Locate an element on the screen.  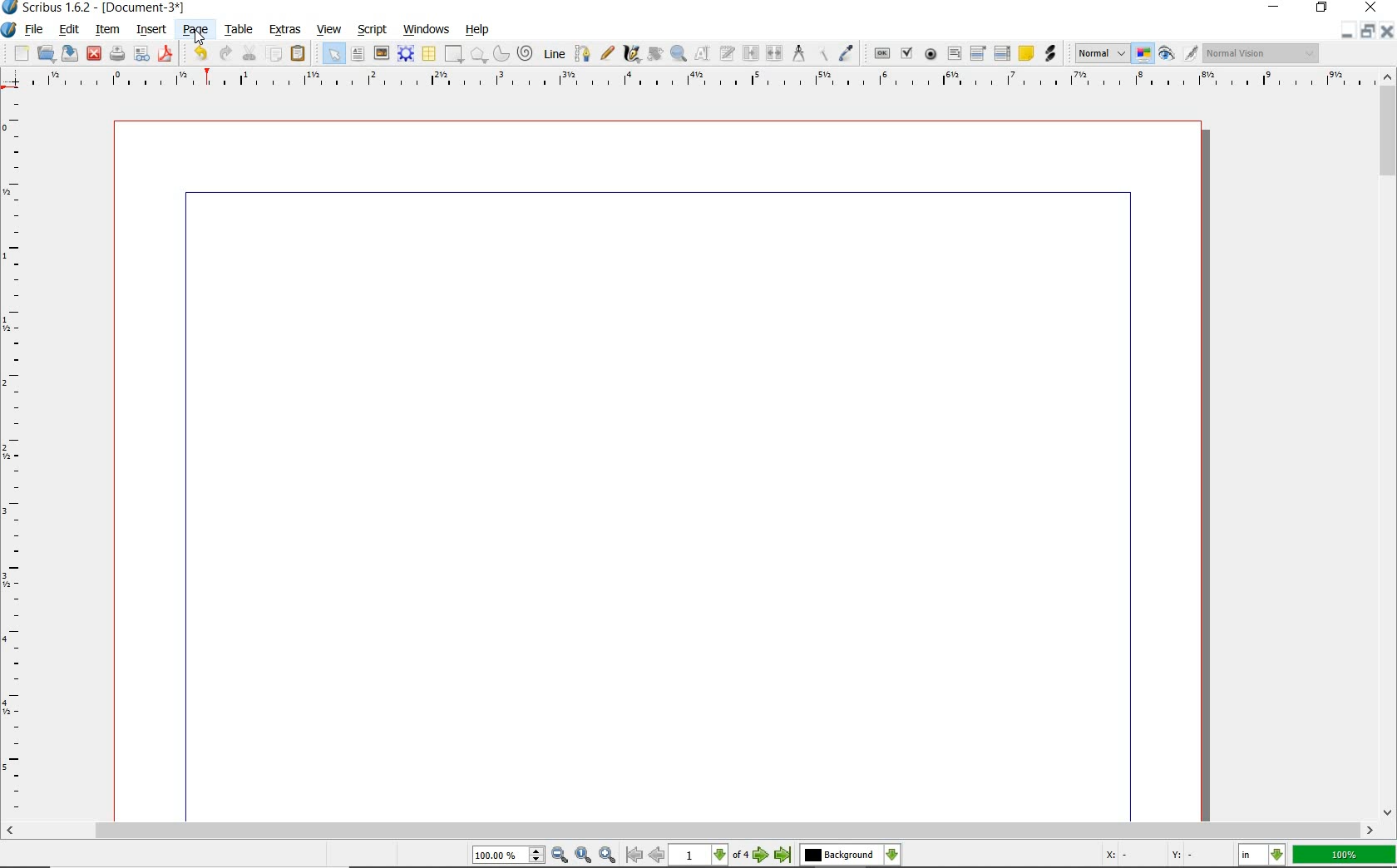
Next Page is located at coordinates (762, 856).